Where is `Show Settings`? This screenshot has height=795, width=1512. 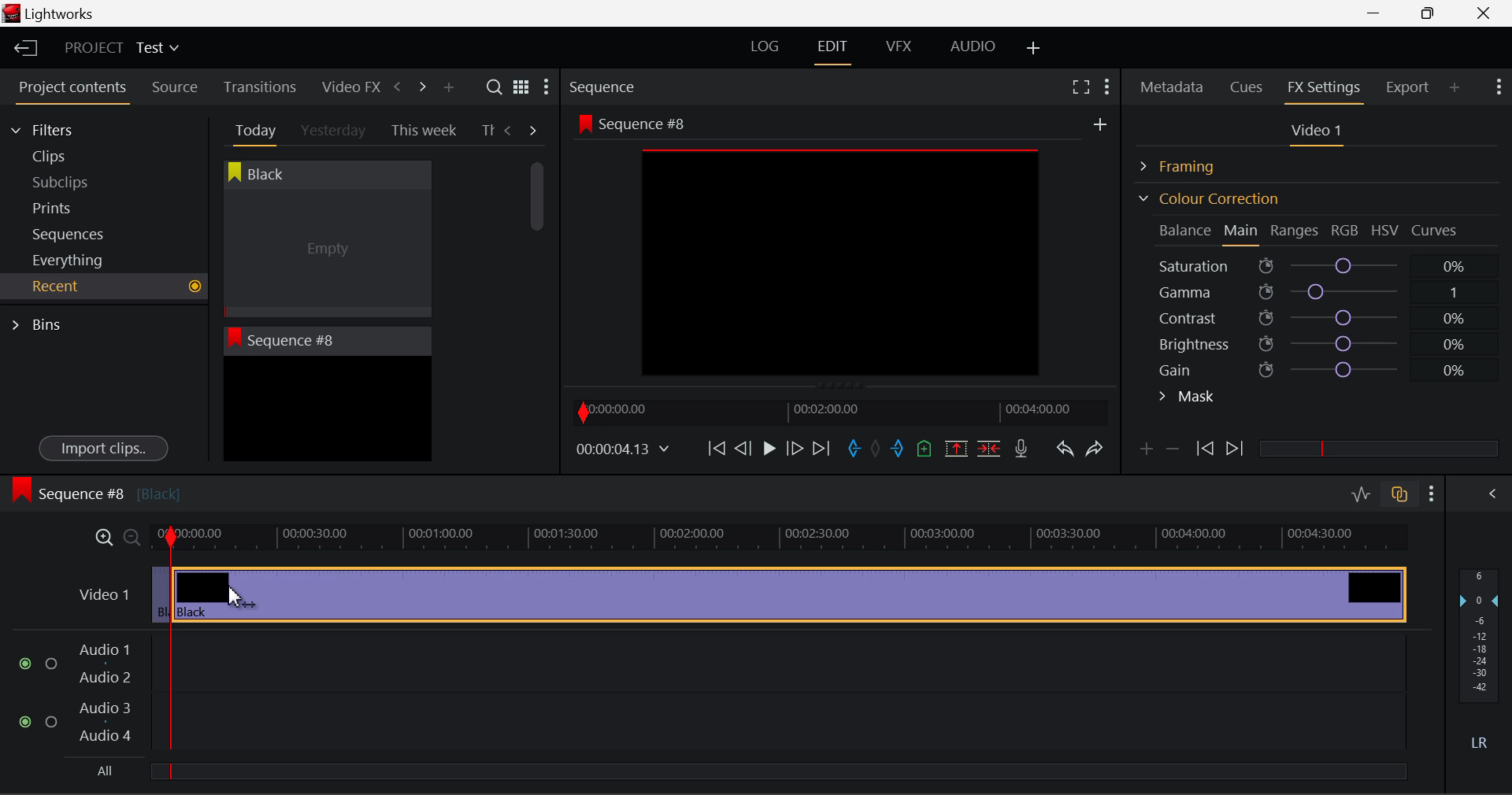 Show Settings is located at coordinates (1432, 494).